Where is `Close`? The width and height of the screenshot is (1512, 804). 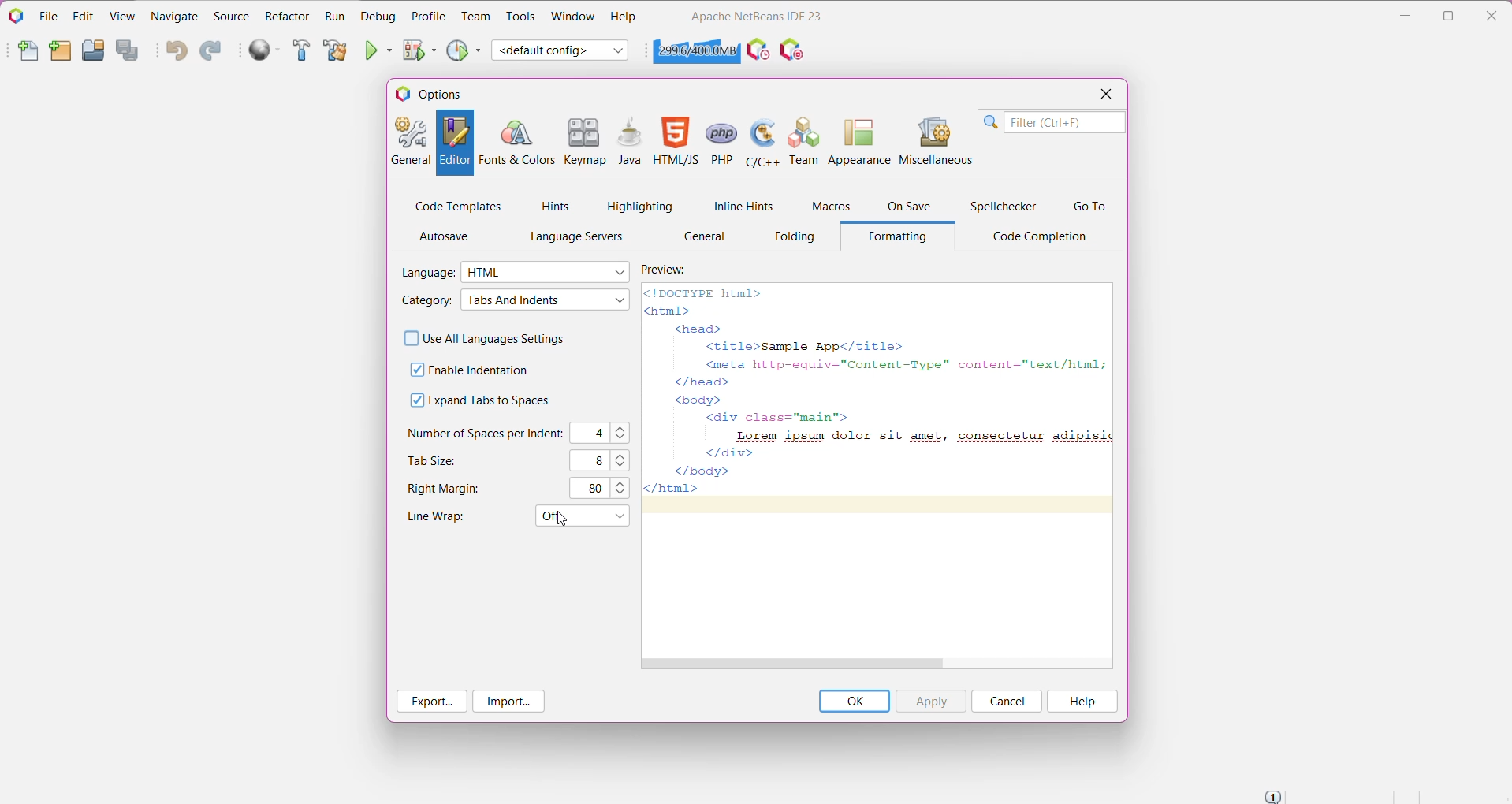 Close is located at coordinates (1495, 13).